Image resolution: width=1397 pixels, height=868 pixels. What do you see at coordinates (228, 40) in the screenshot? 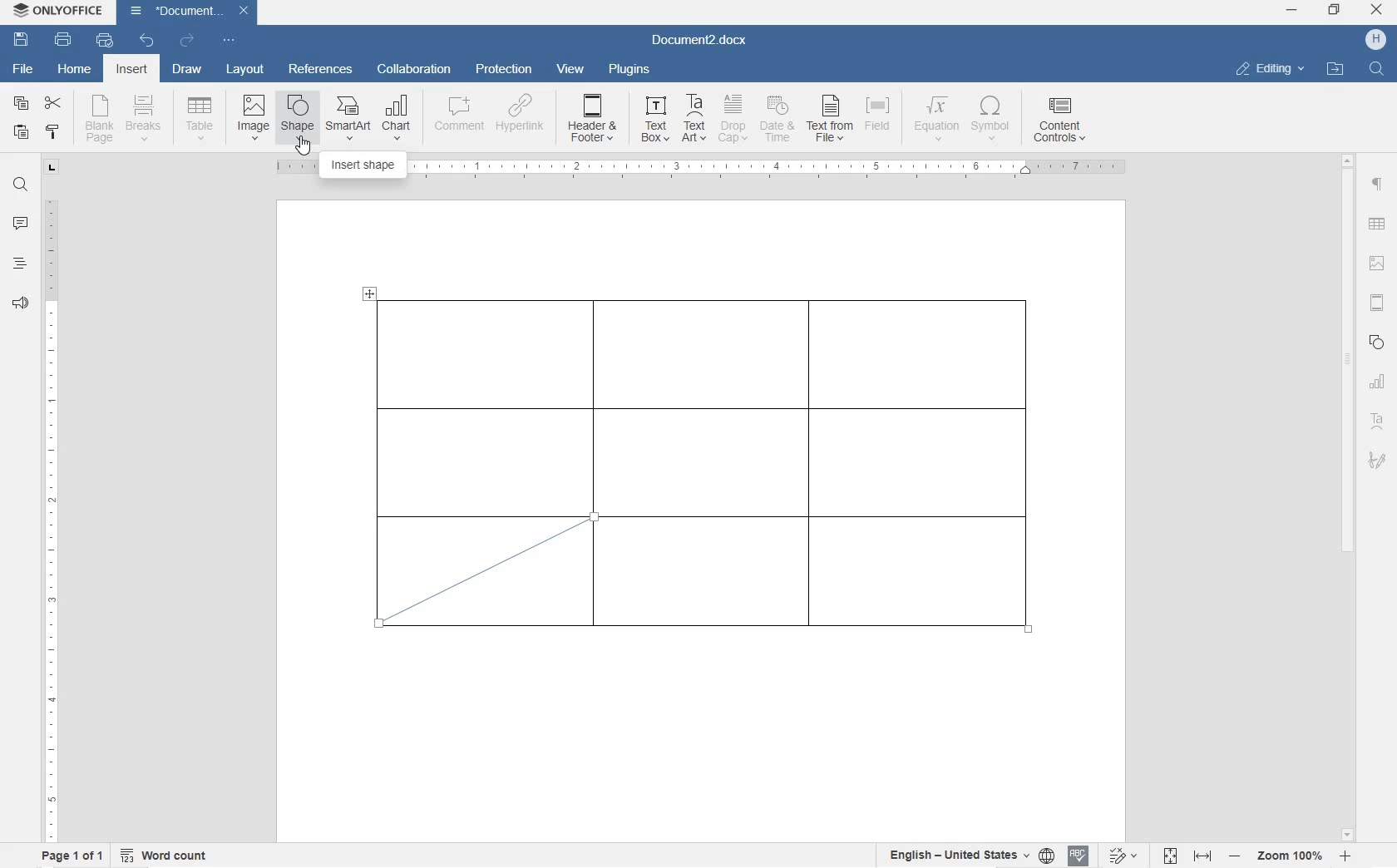
I see `customize quick access toolbar` at bounding box center [228, 40].